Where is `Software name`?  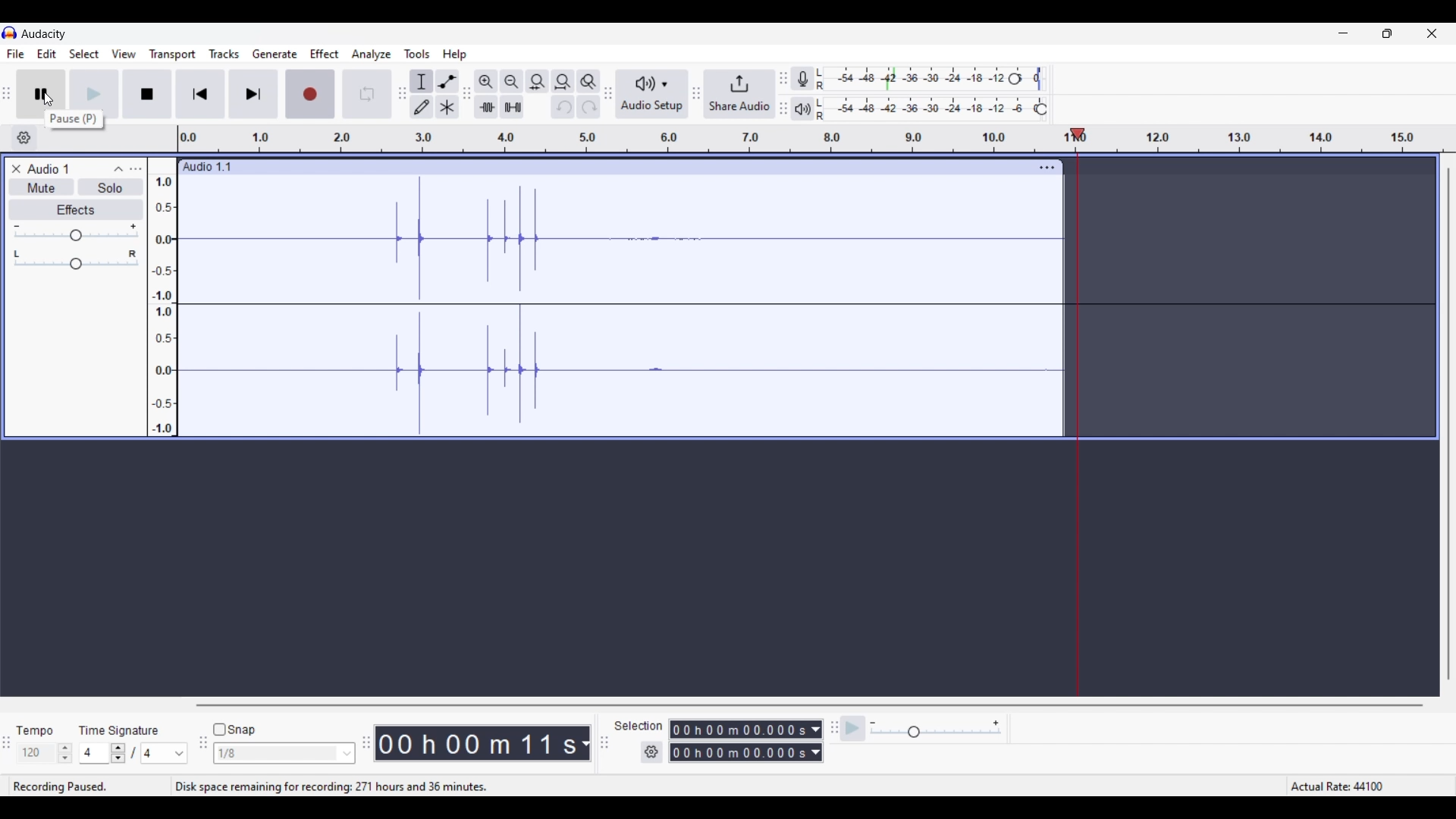
Software name is located at coordinates (45, 34).